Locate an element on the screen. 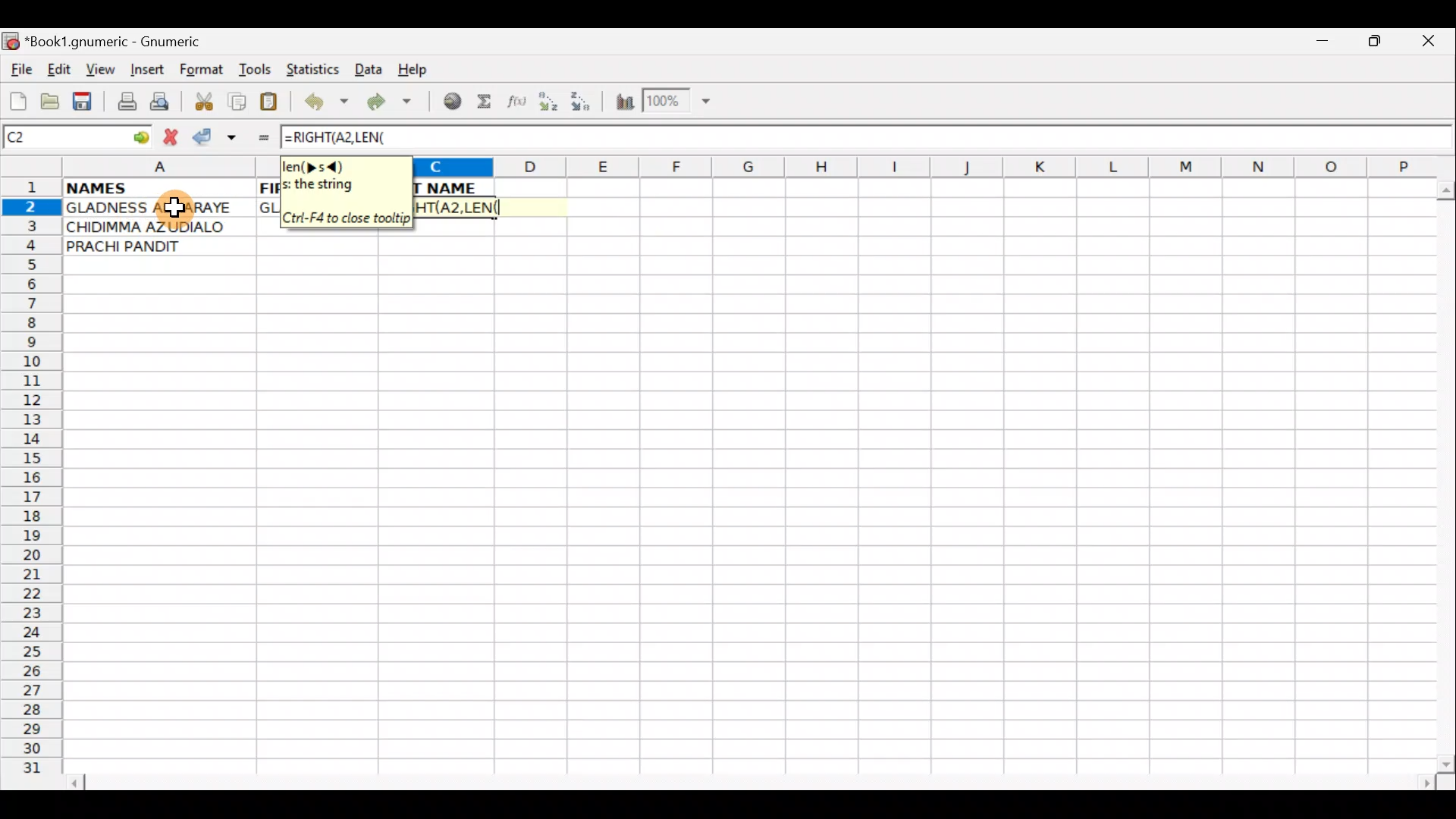  Copy selection is located at coordinates (238, 101).